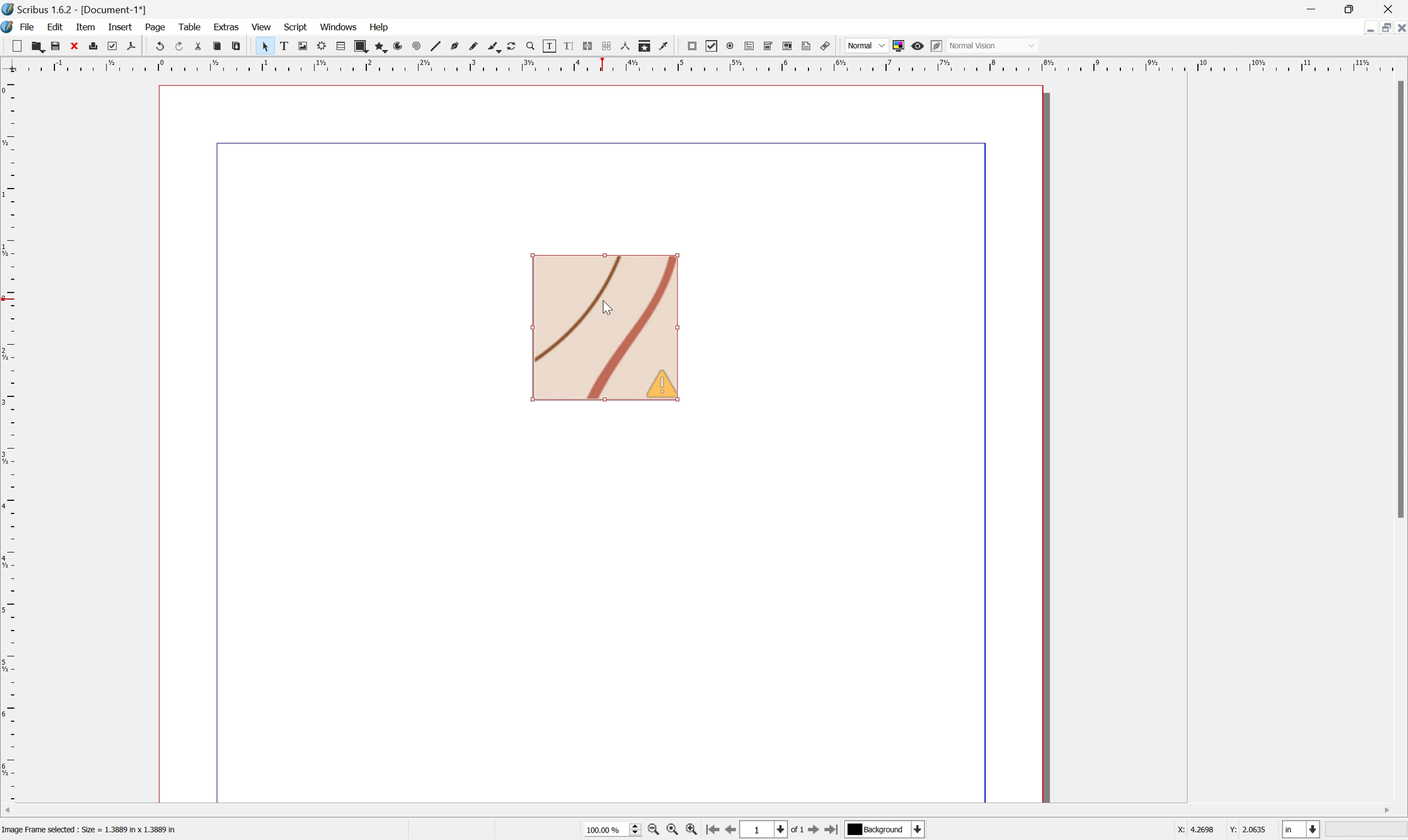  What do you see at coordinates (693, 46) in the screenshot?
I see `PDF push button` at bounding box center [693, 46].